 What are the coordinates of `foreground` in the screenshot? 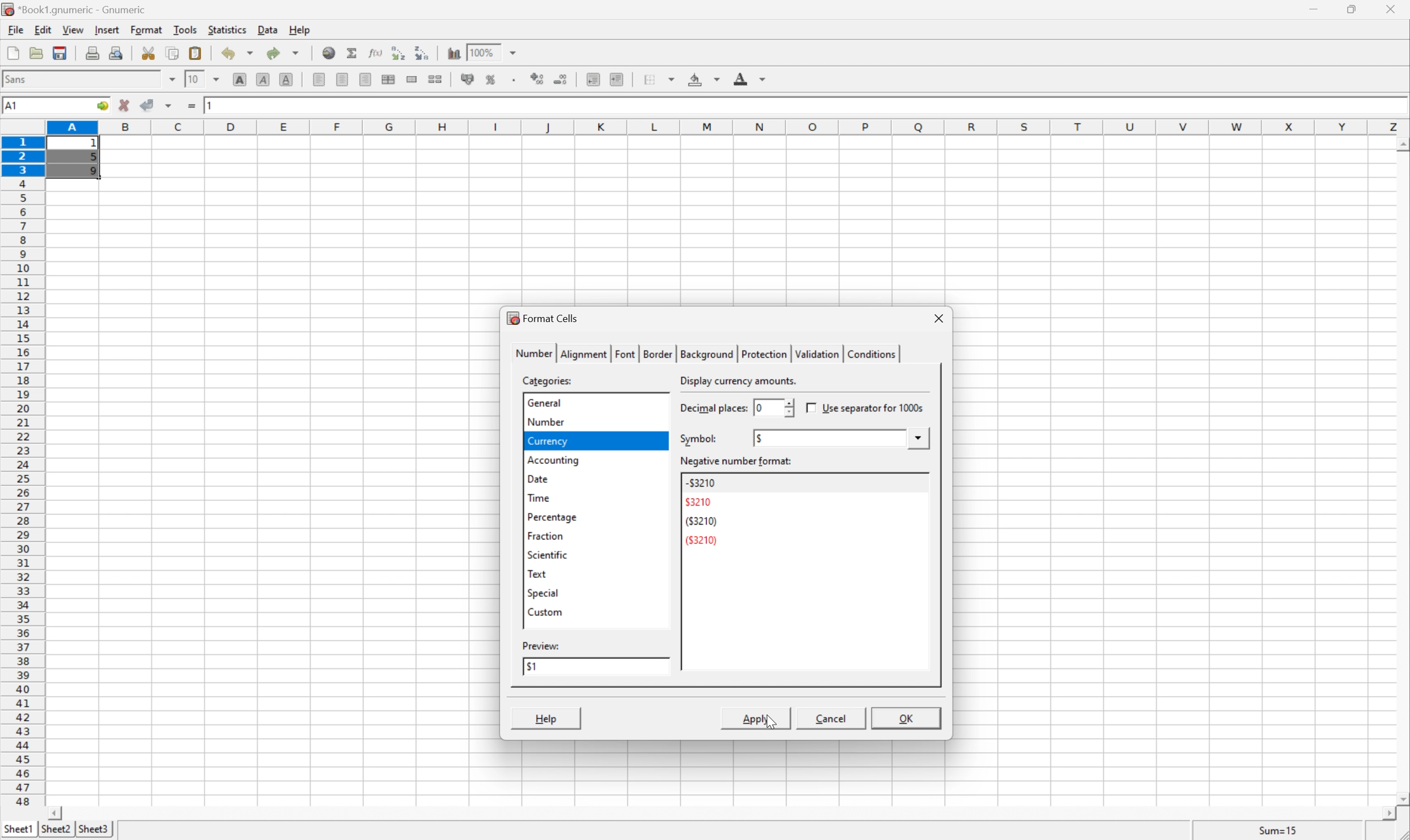 It's located at (748, 77).